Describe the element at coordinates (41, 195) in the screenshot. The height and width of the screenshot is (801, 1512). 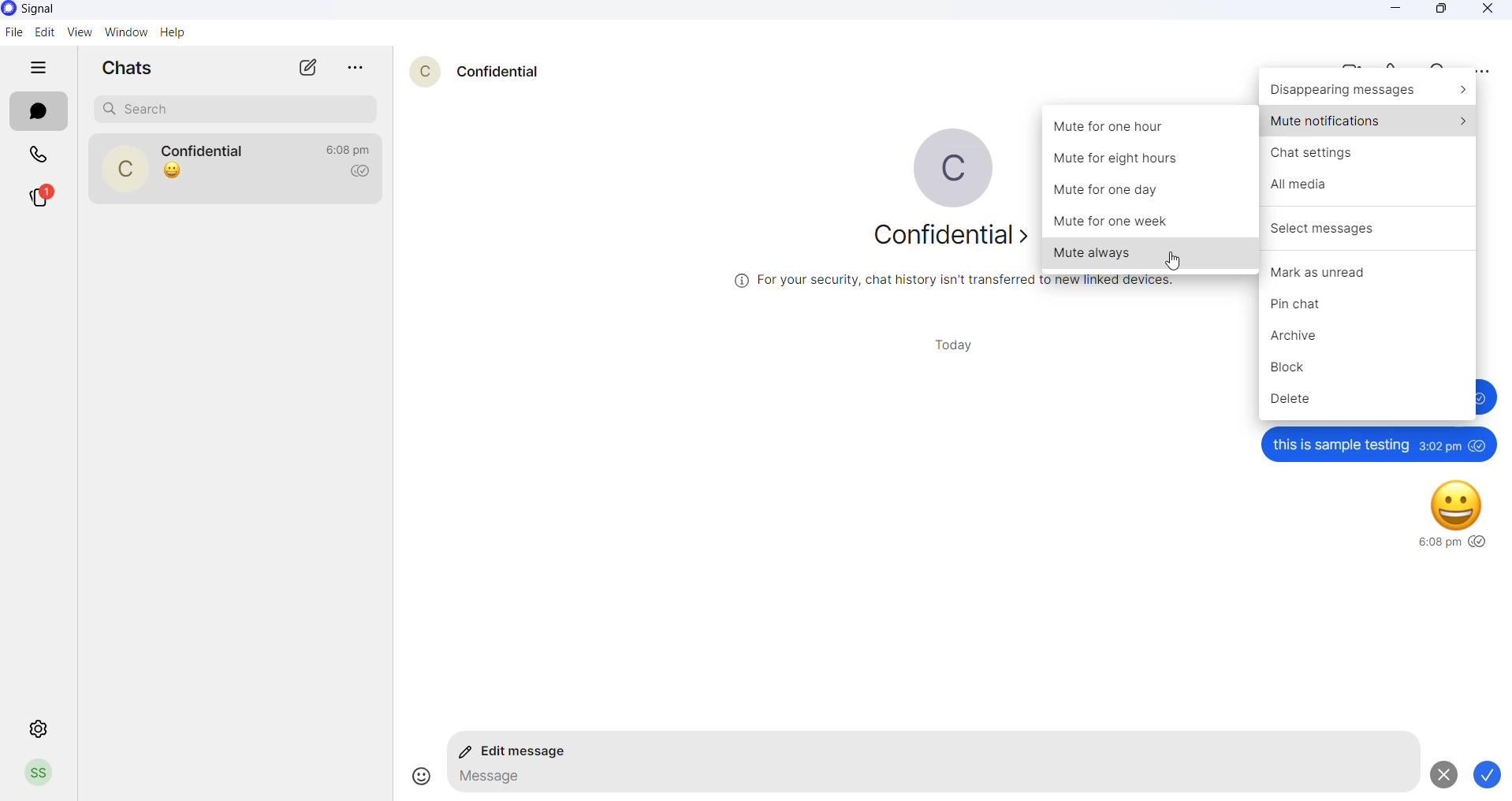
I see `stories` at that location.